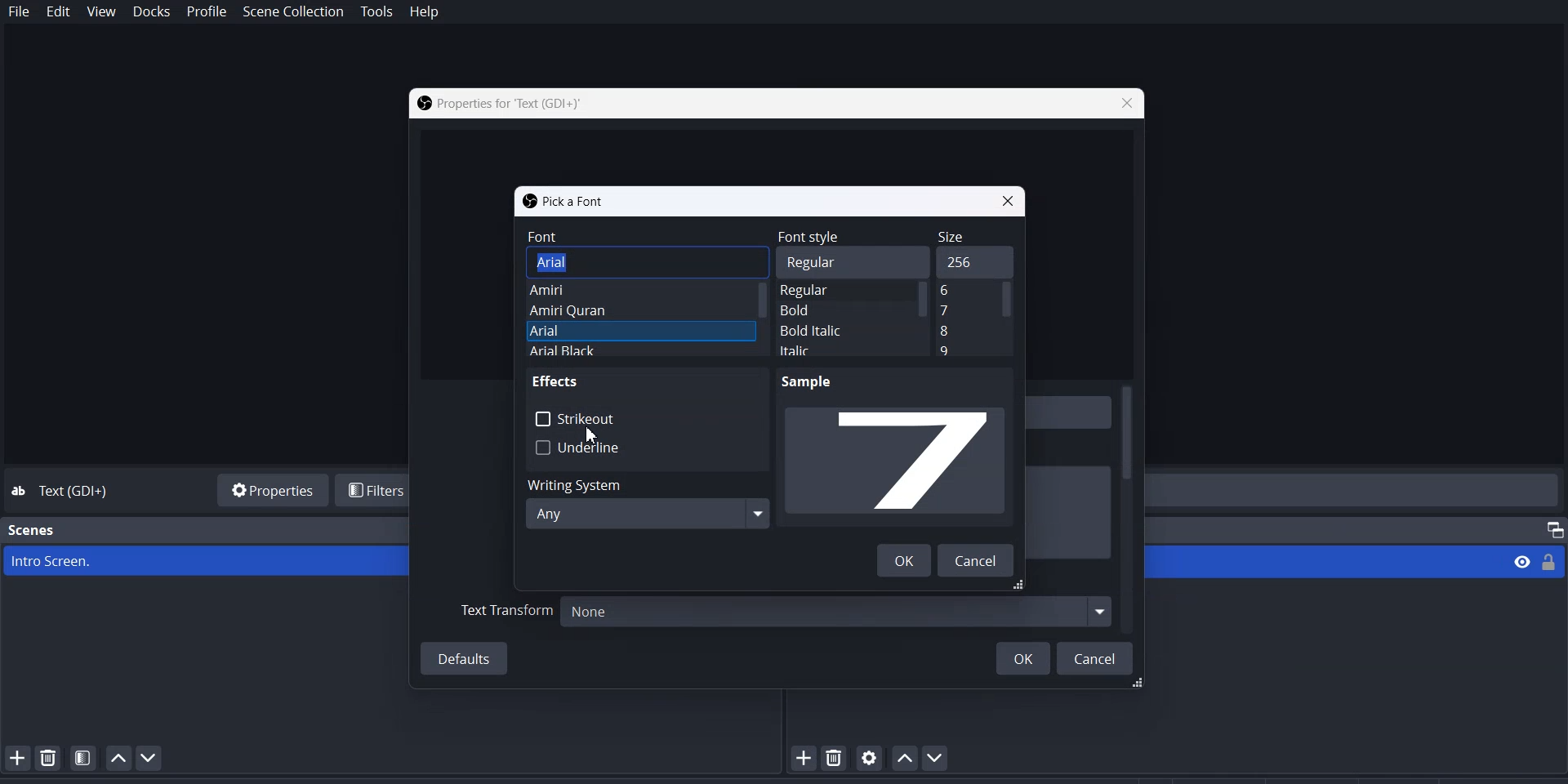 The image size is (1568, 784). I want to click on Amiri, so click(604, 289).